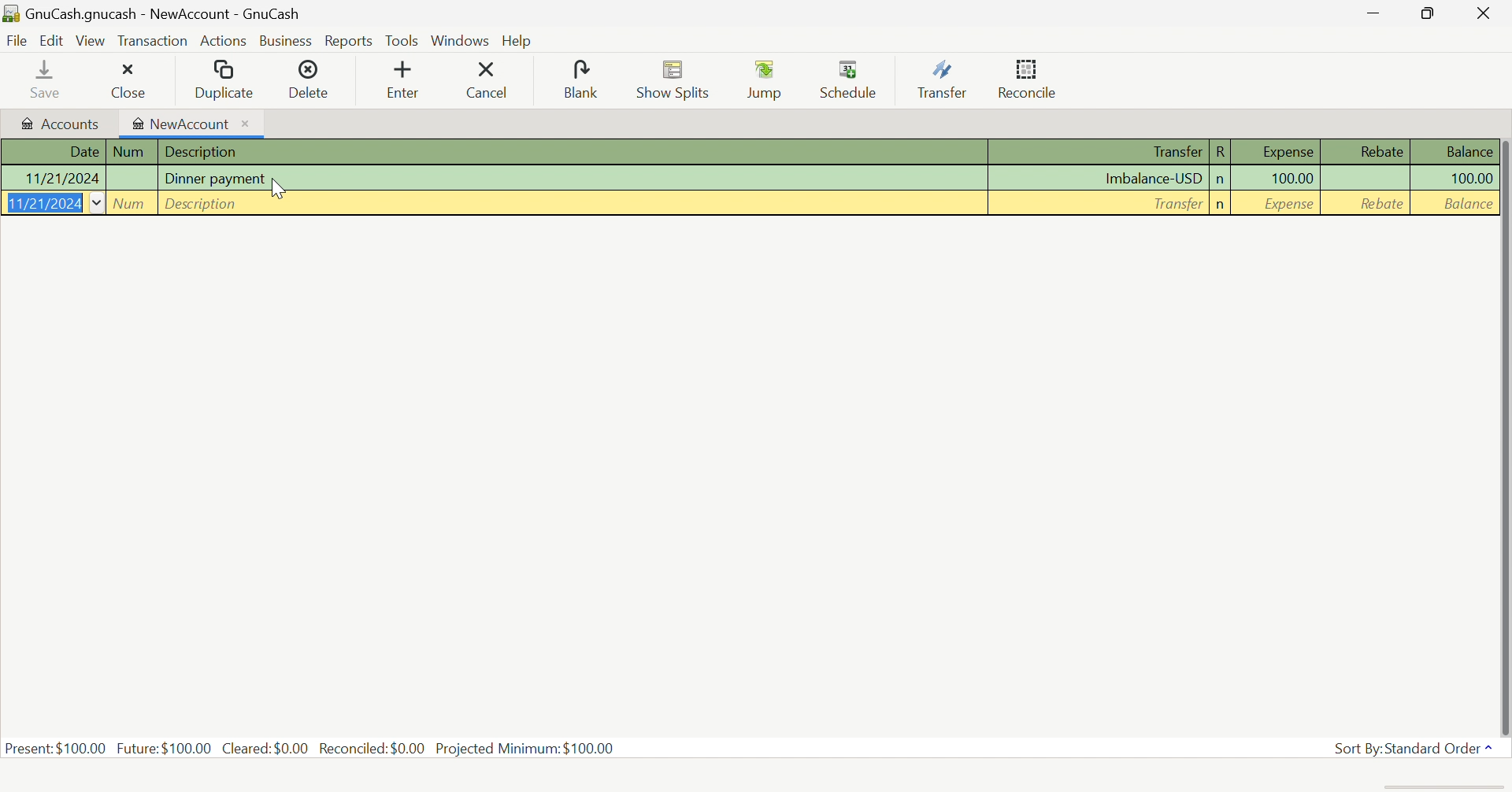  Describe the element at coordinates (1154, 177) in the screenshot. I see `Imbalance-USD` at that location.